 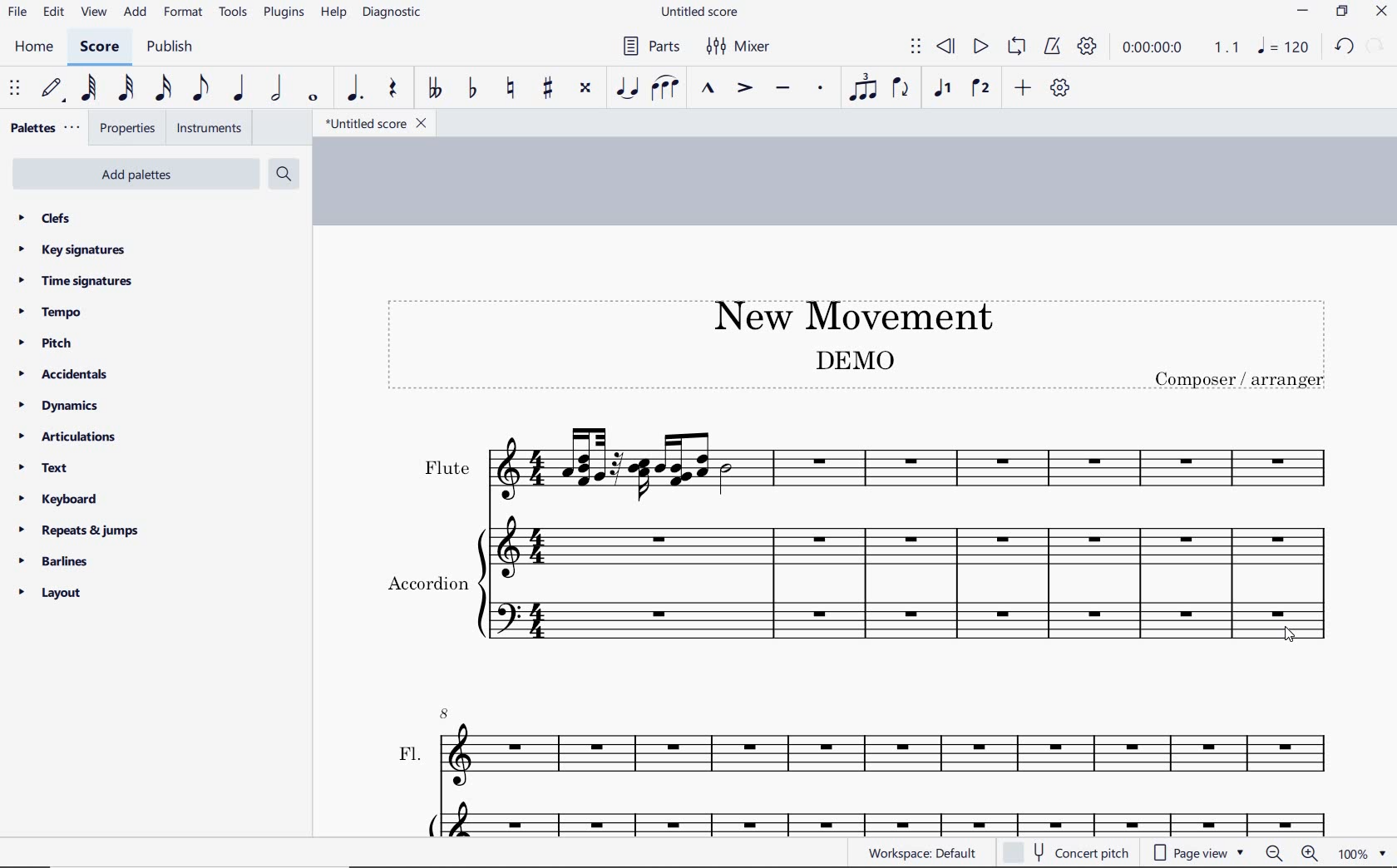 What do you see at coordinates (66, 373) in the screenshot?
I see `accidentals` at bounding box center [66, 373].